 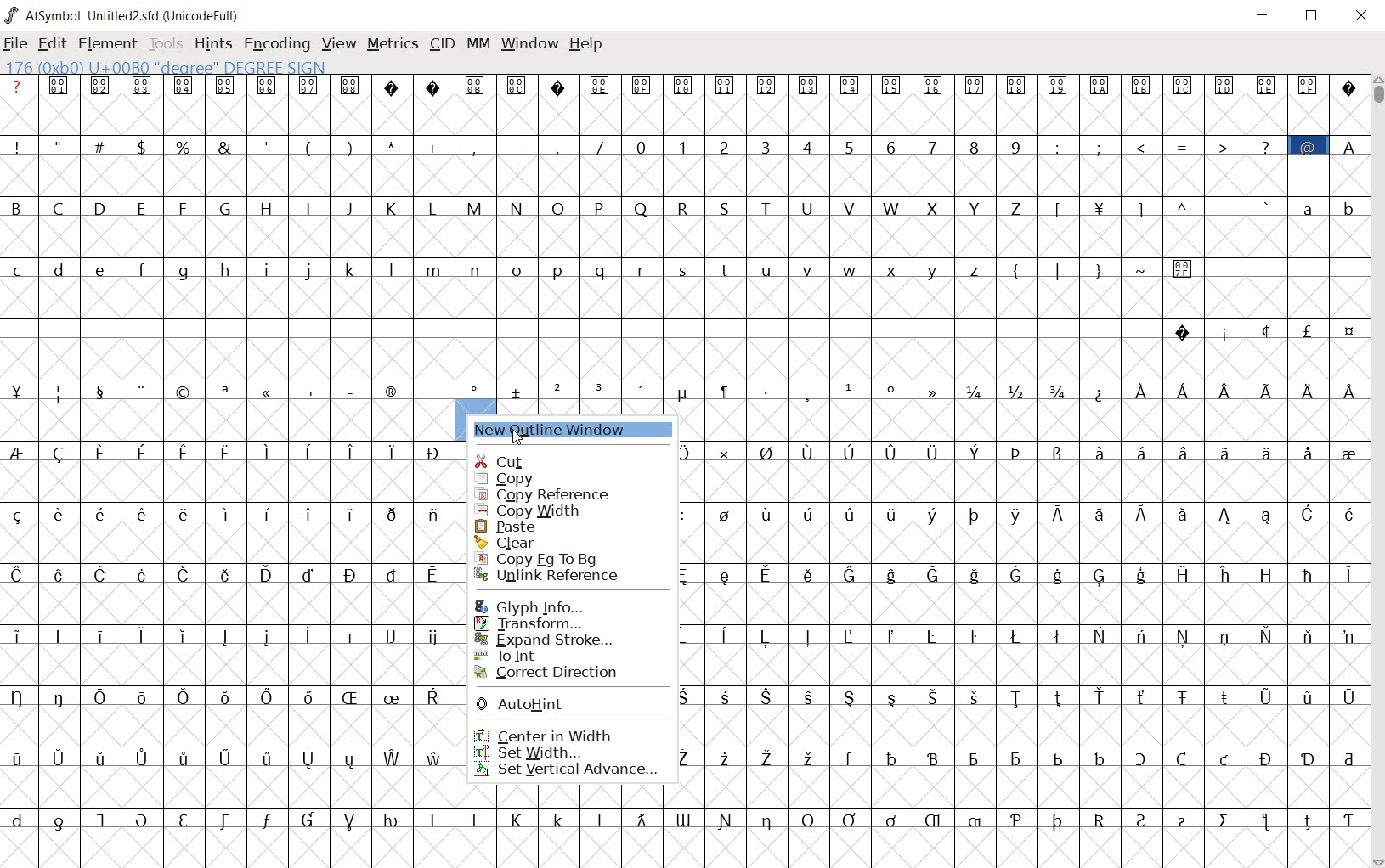 What do you see at coordinates (685, 238) in the screenshot?
I see `empty glyph slots` at bounding box center [685, 238].